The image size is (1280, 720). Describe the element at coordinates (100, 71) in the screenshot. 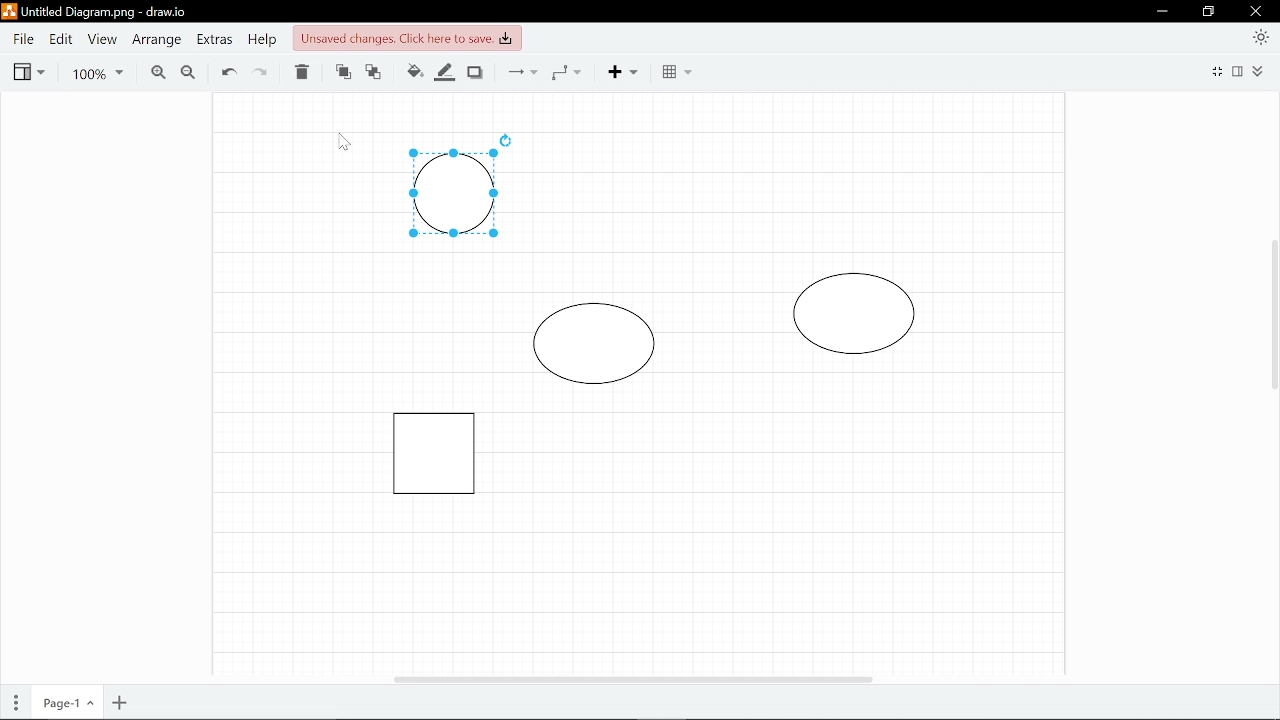

I see `Current zoom` at that location.